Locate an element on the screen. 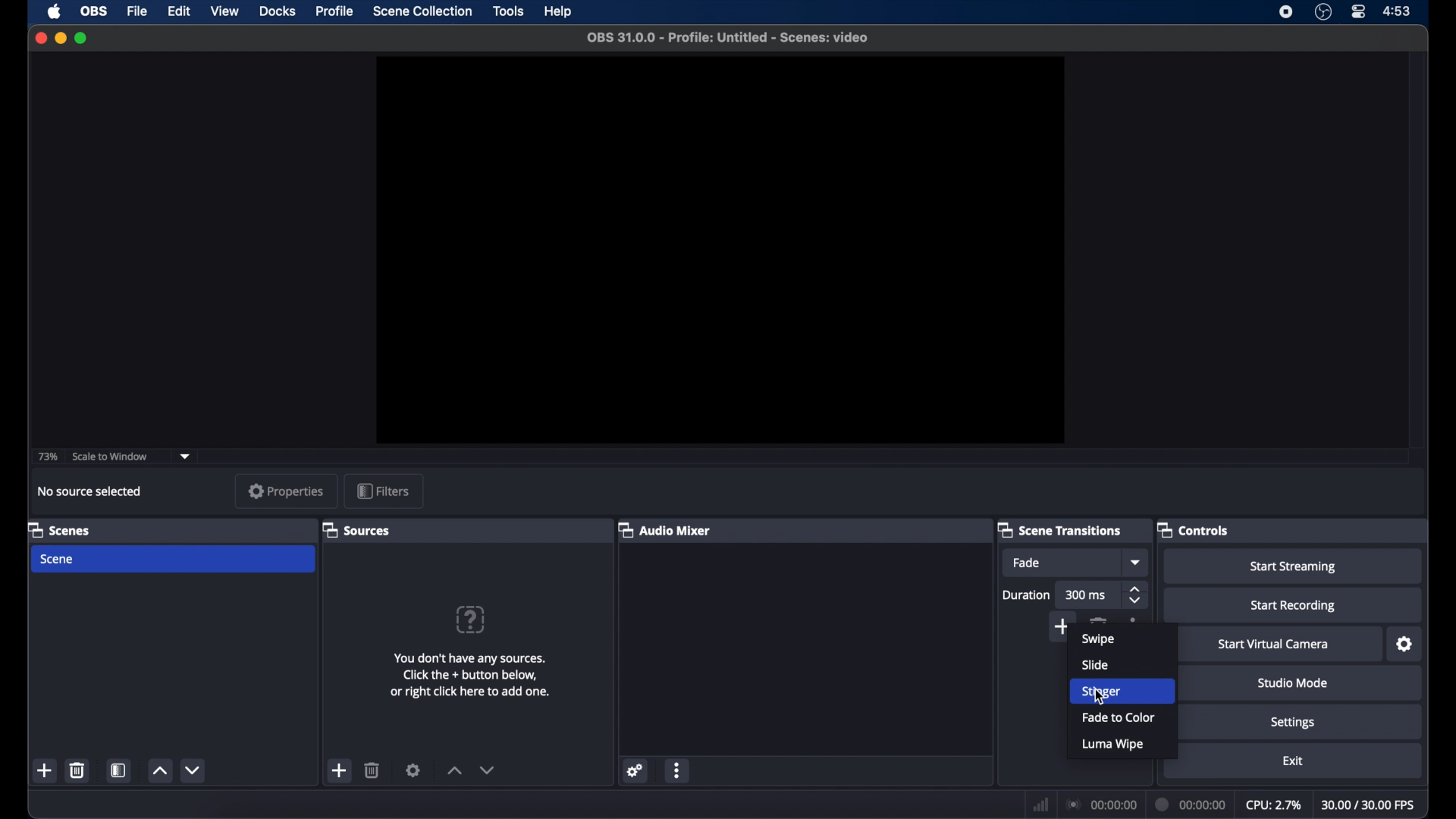 The width and height of the screenshot is (1456, 819). more options is located at coordinates (679, 771).